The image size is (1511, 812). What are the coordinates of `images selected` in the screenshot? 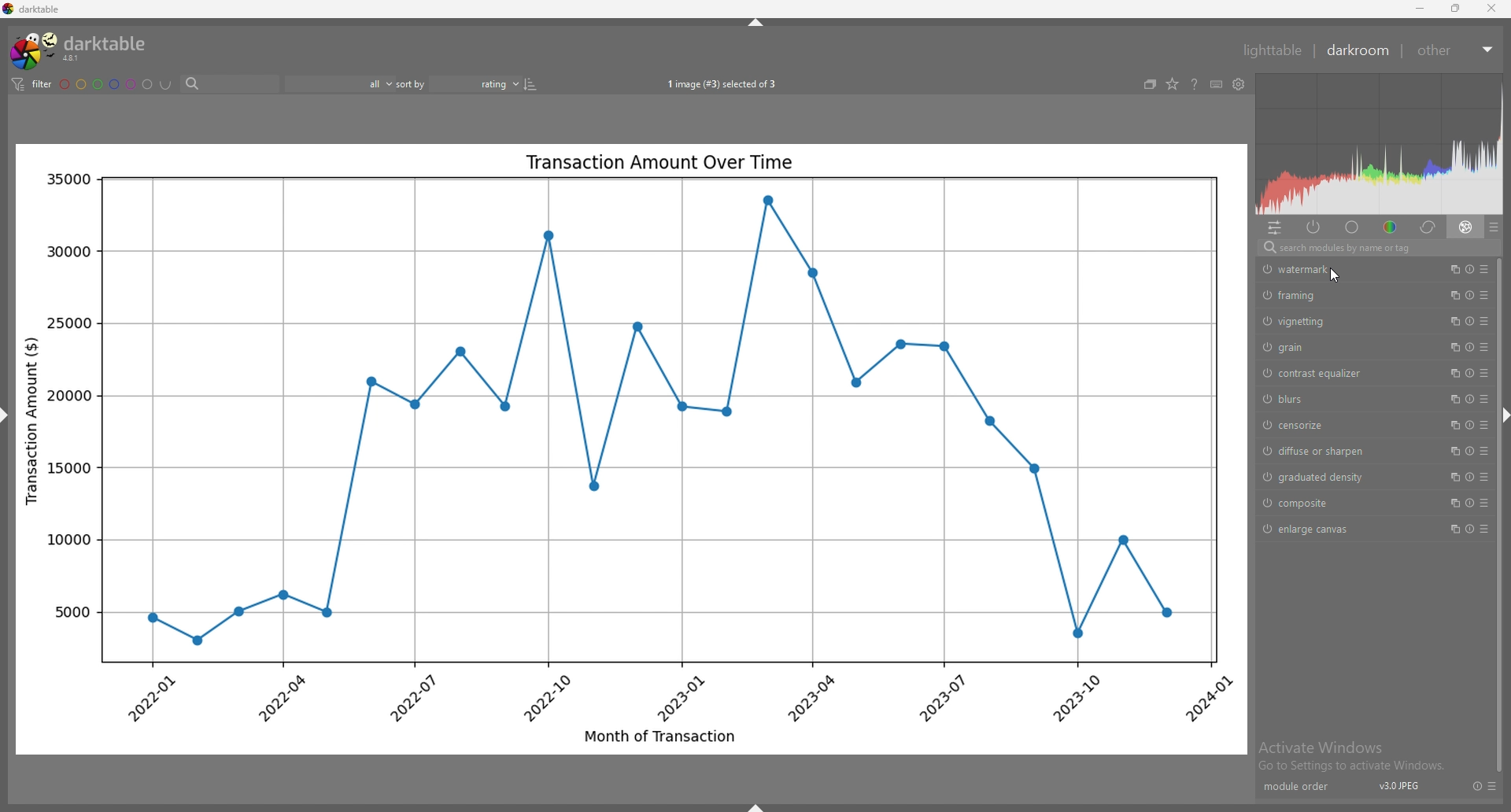 It's located at (719, 84).